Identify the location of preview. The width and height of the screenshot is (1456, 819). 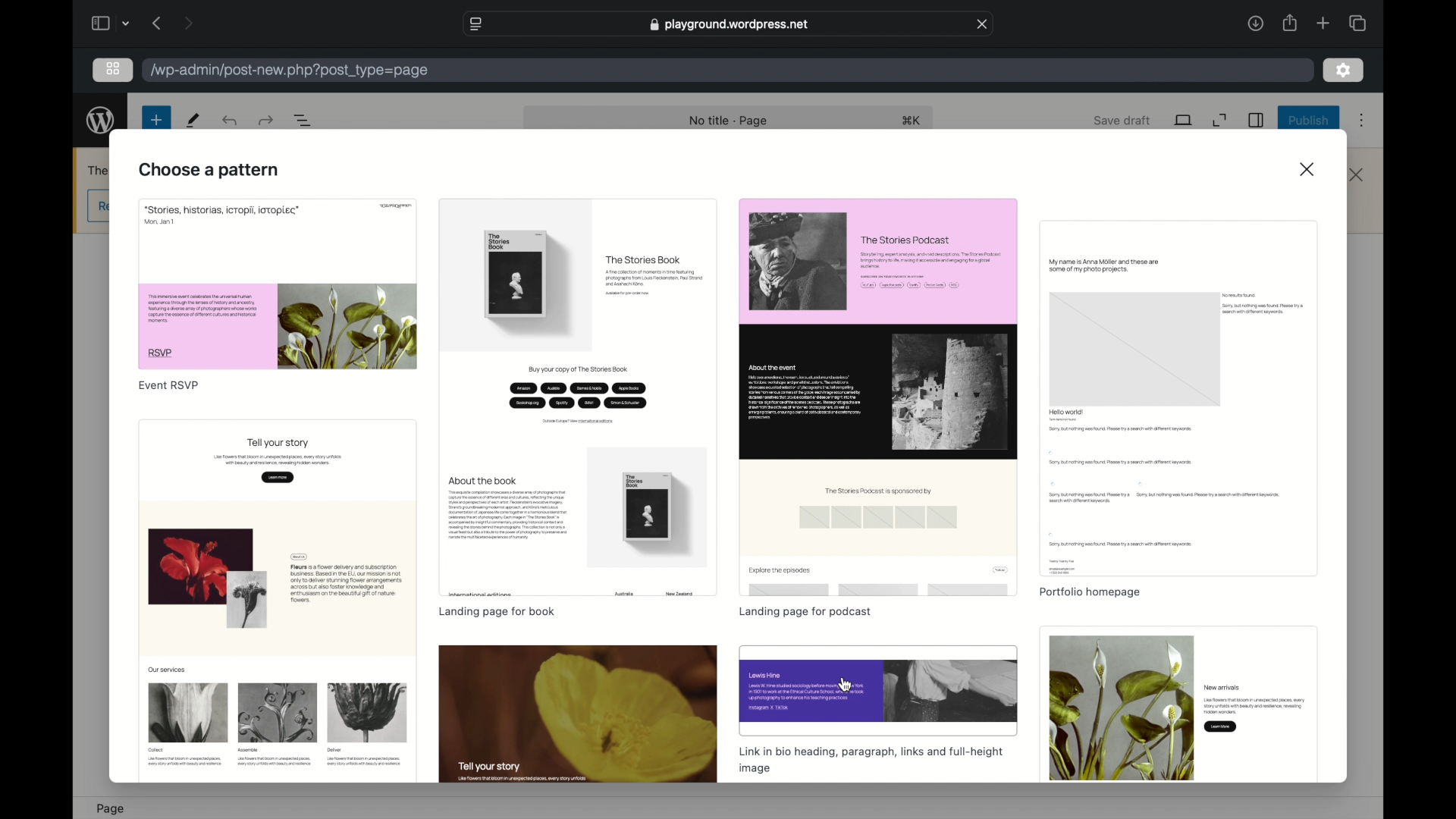
(579, 398).